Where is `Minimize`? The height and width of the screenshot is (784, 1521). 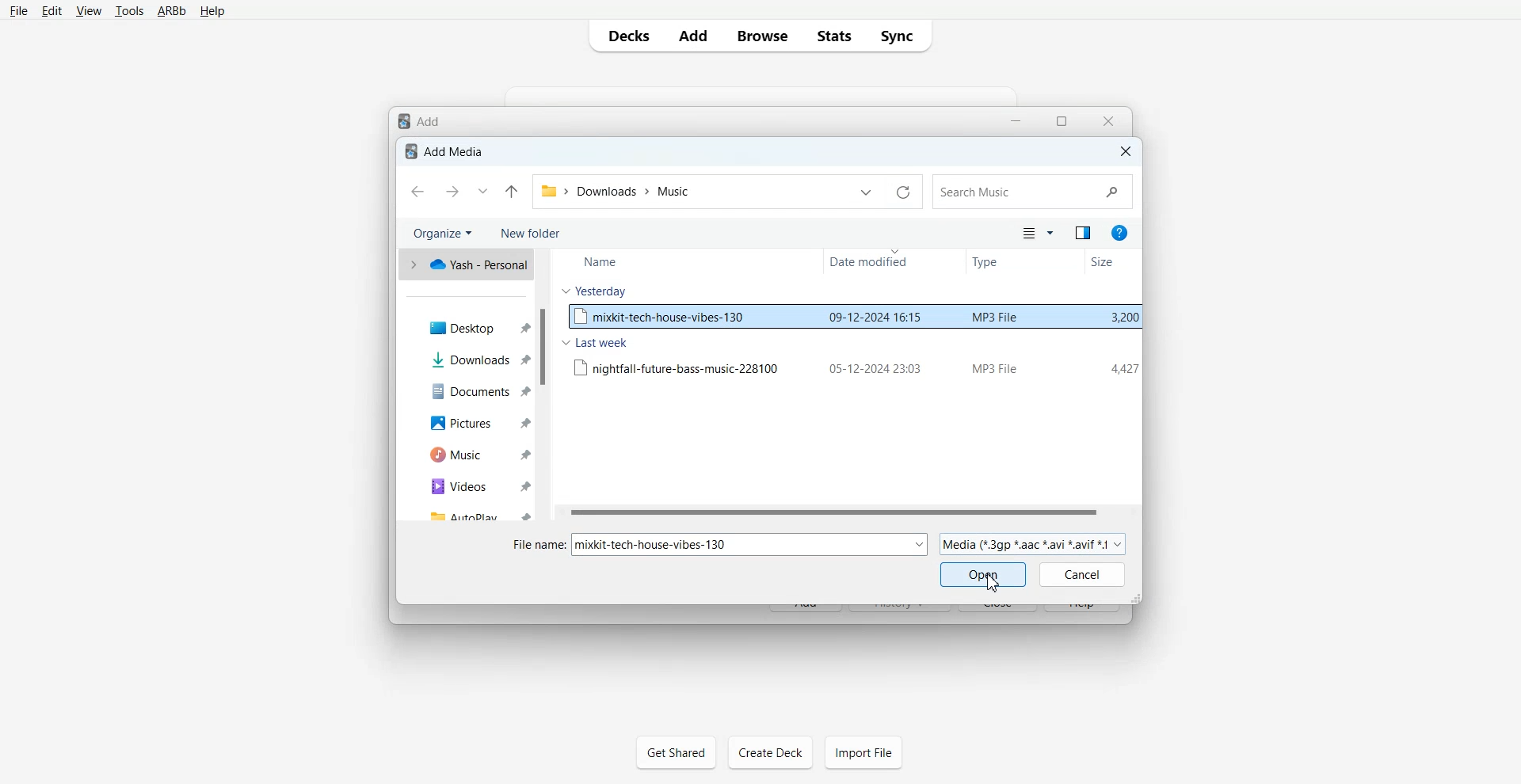 Minimize is located at coordinates (1016, 122).